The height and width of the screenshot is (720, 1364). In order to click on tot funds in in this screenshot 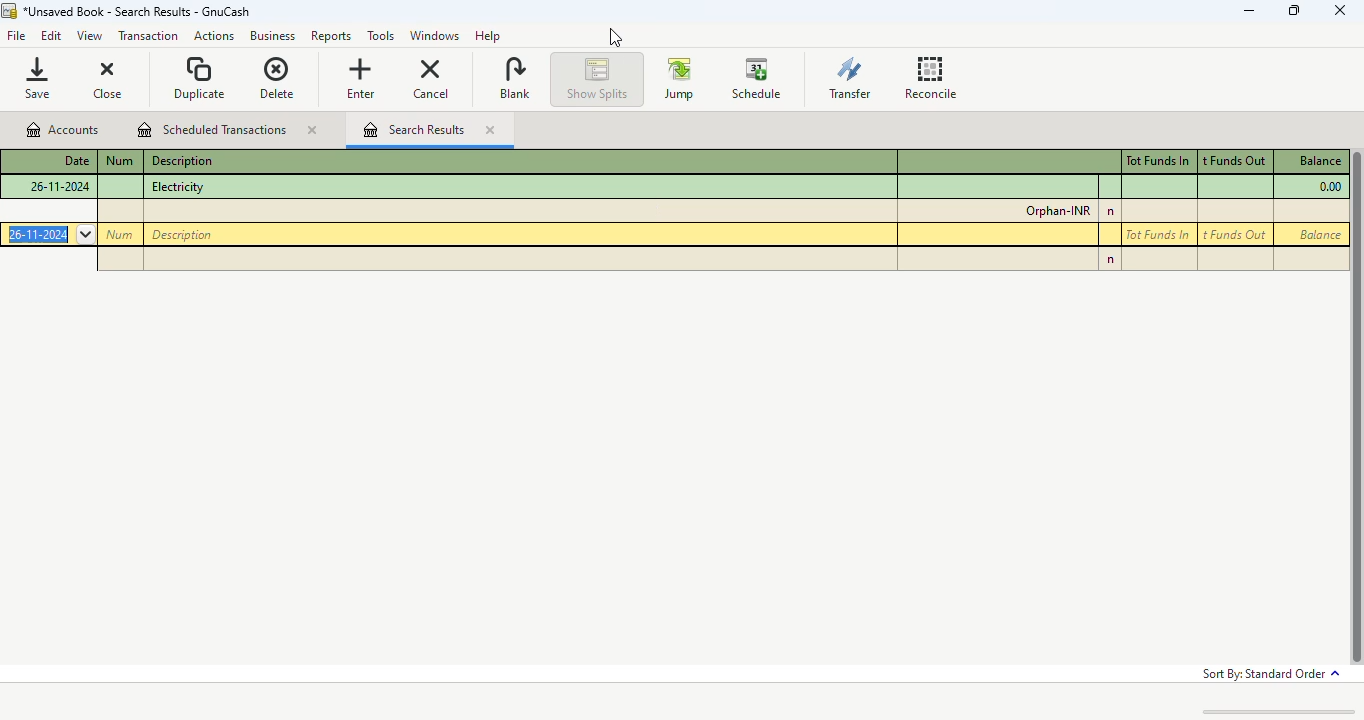, I will do `click(1157, 235)`.